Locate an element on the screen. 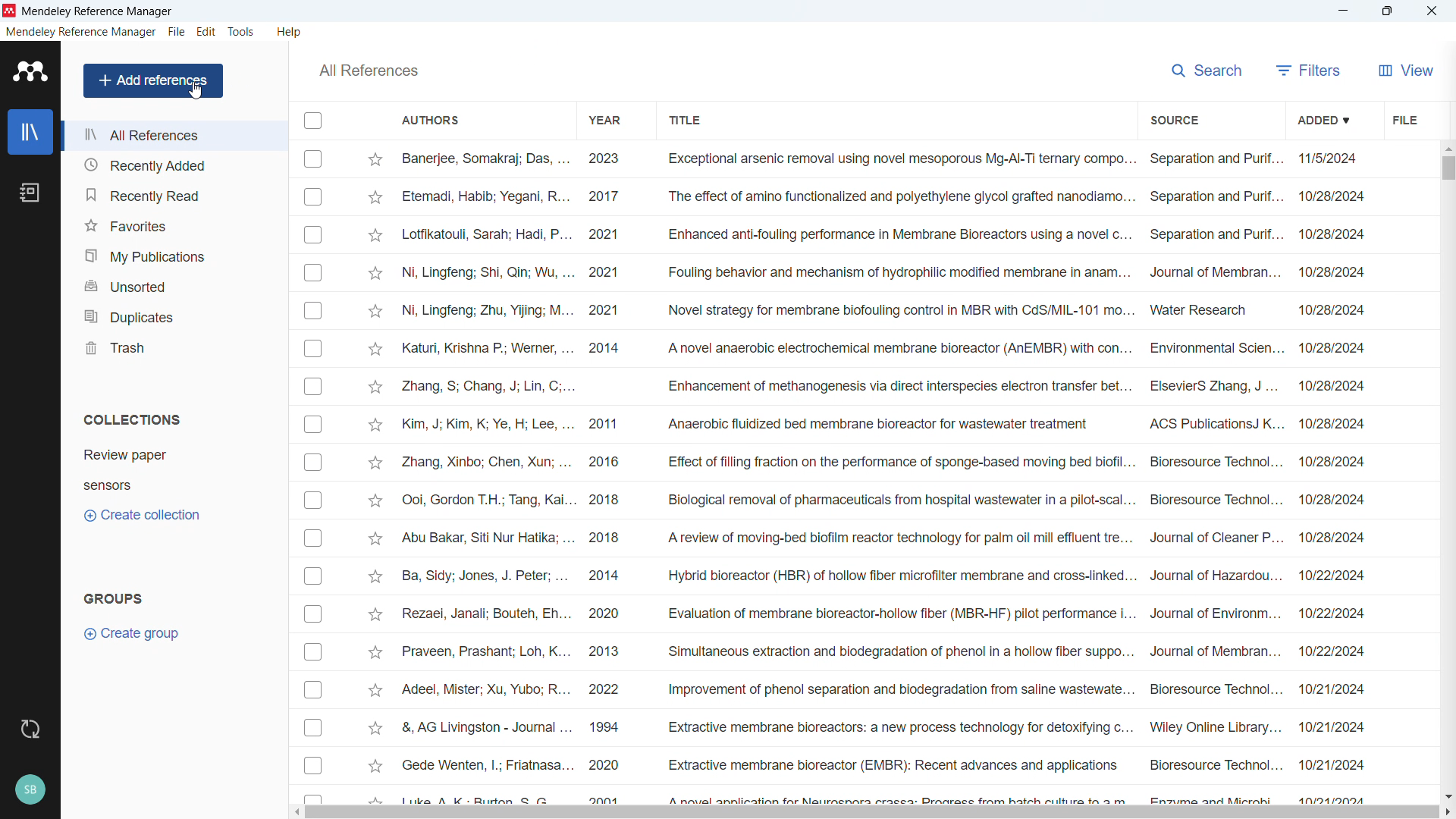  Library  is located at coordinates (30, 132).